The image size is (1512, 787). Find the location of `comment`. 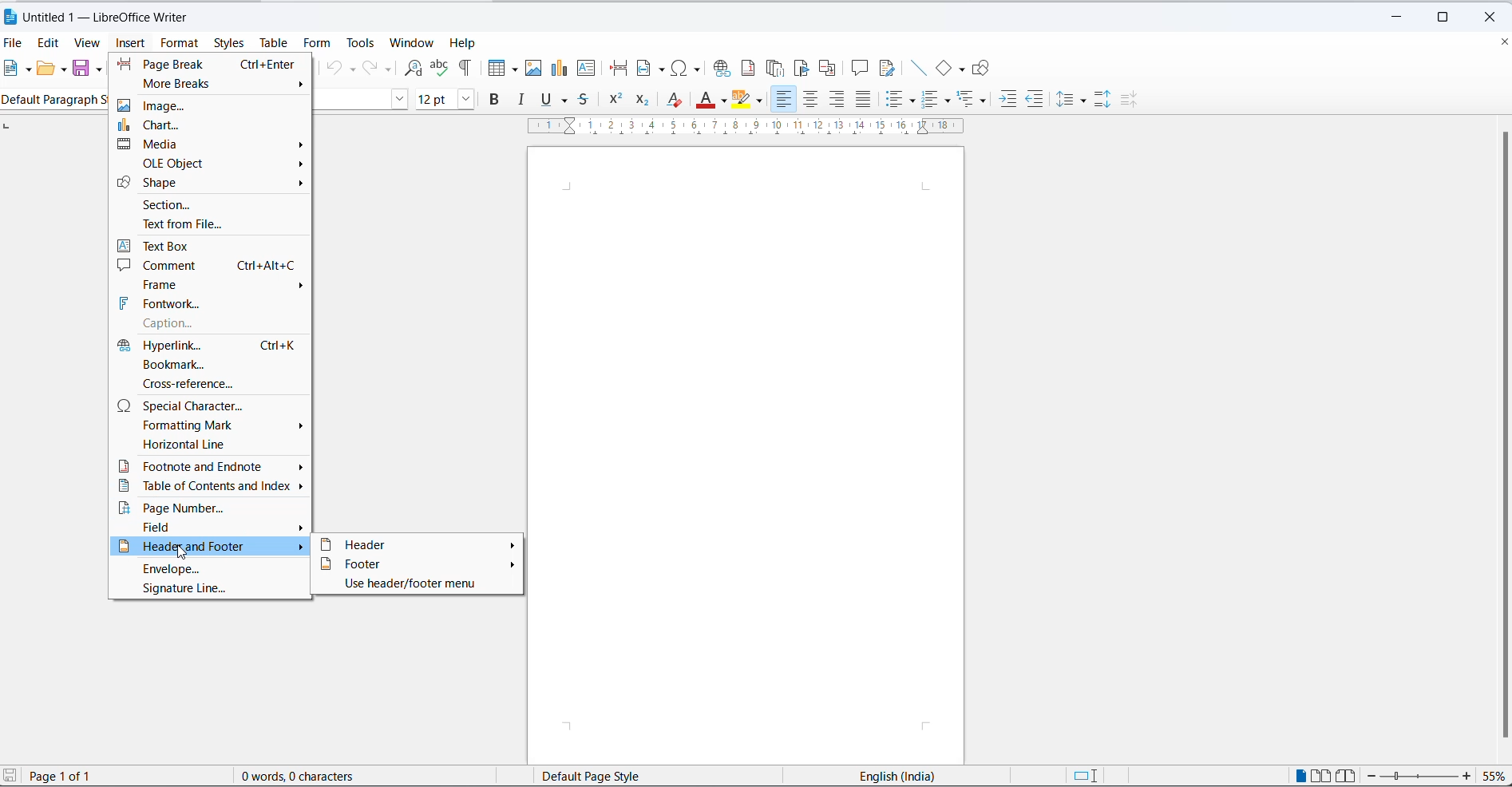

comment is located at coordinates (208, 265).